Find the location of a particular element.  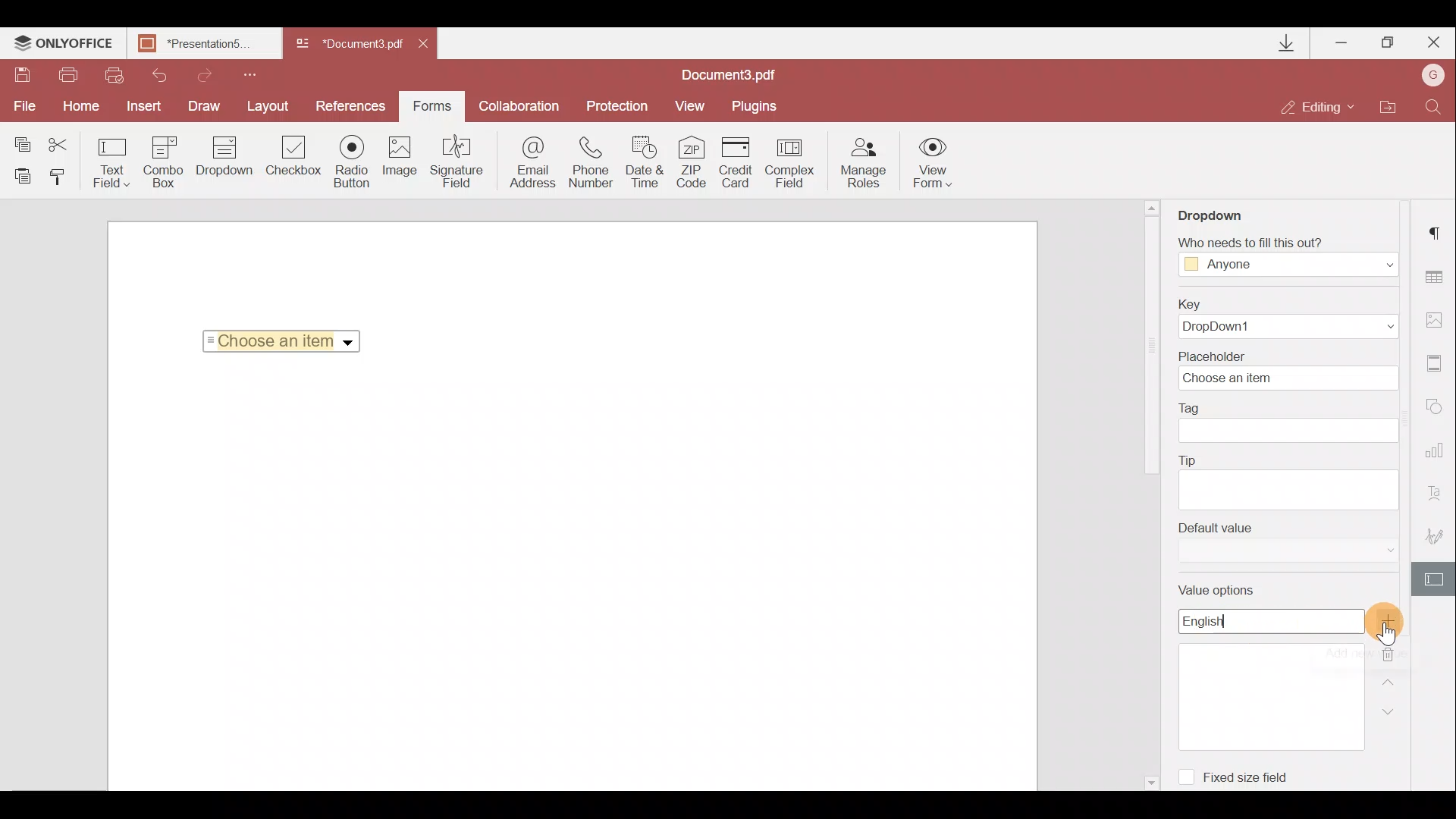

Who needs to fill this out? is located at coordinates (1288, 252).